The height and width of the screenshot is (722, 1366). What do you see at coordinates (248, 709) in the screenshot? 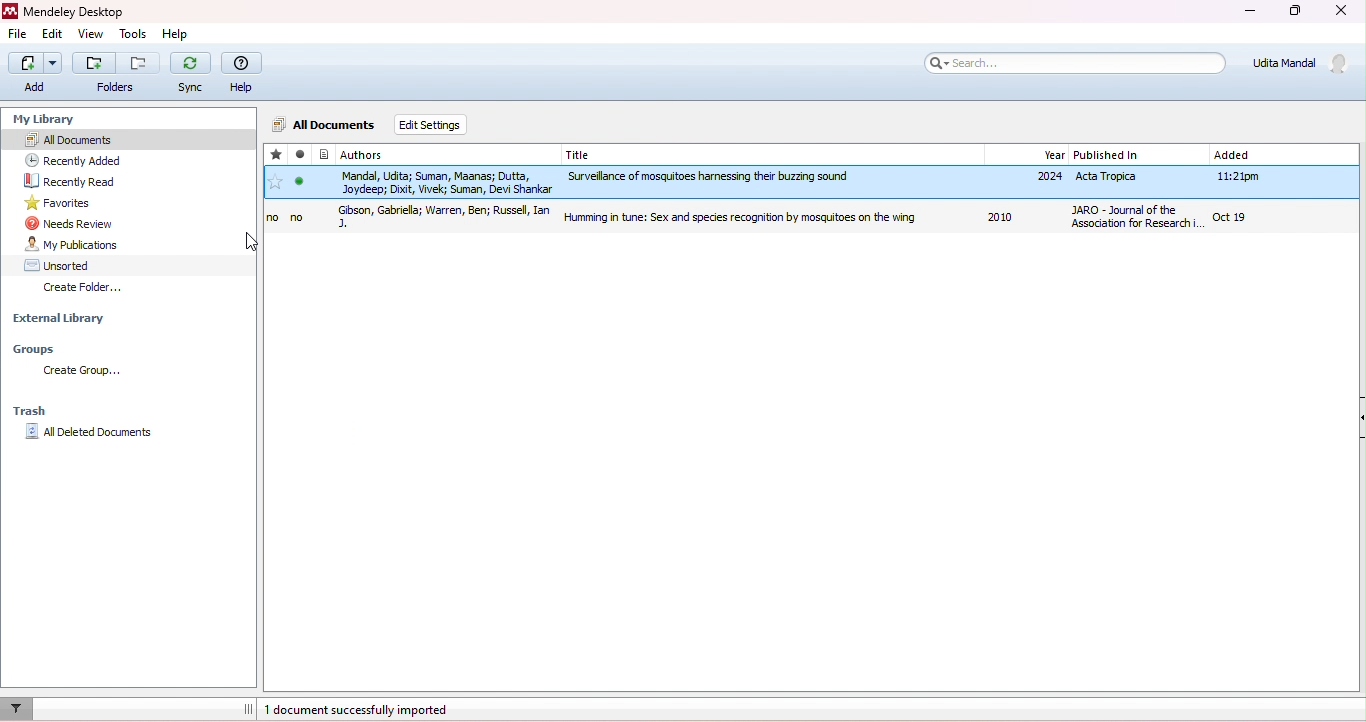
I see `dragging line` at bounding box center [248, 709].